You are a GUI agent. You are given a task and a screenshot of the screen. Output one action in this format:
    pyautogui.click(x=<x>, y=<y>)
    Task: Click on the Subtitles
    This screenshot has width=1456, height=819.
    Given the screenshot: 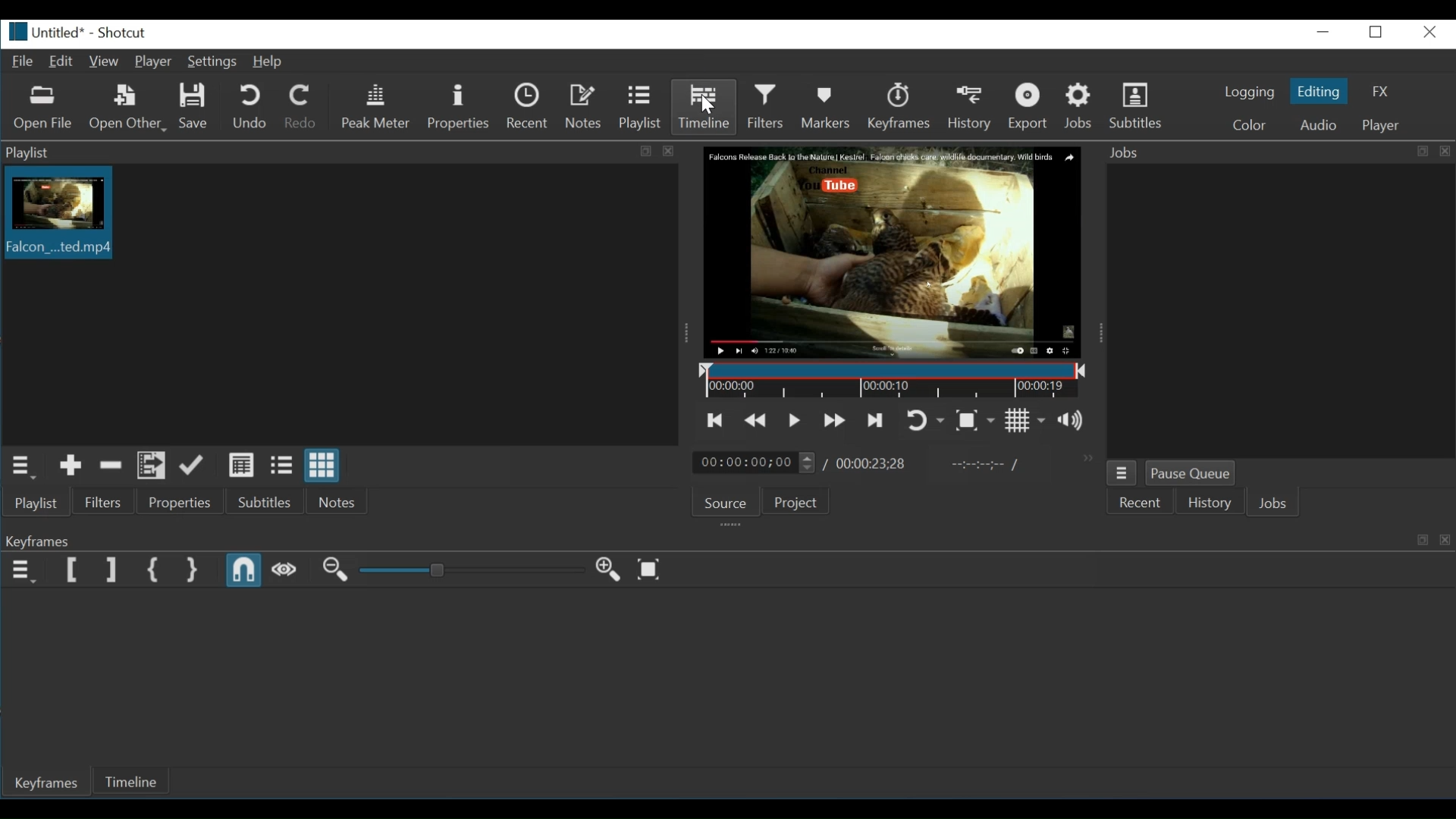 What is the action you would take?
    pyautogui.click(x=1140, y=104)
    